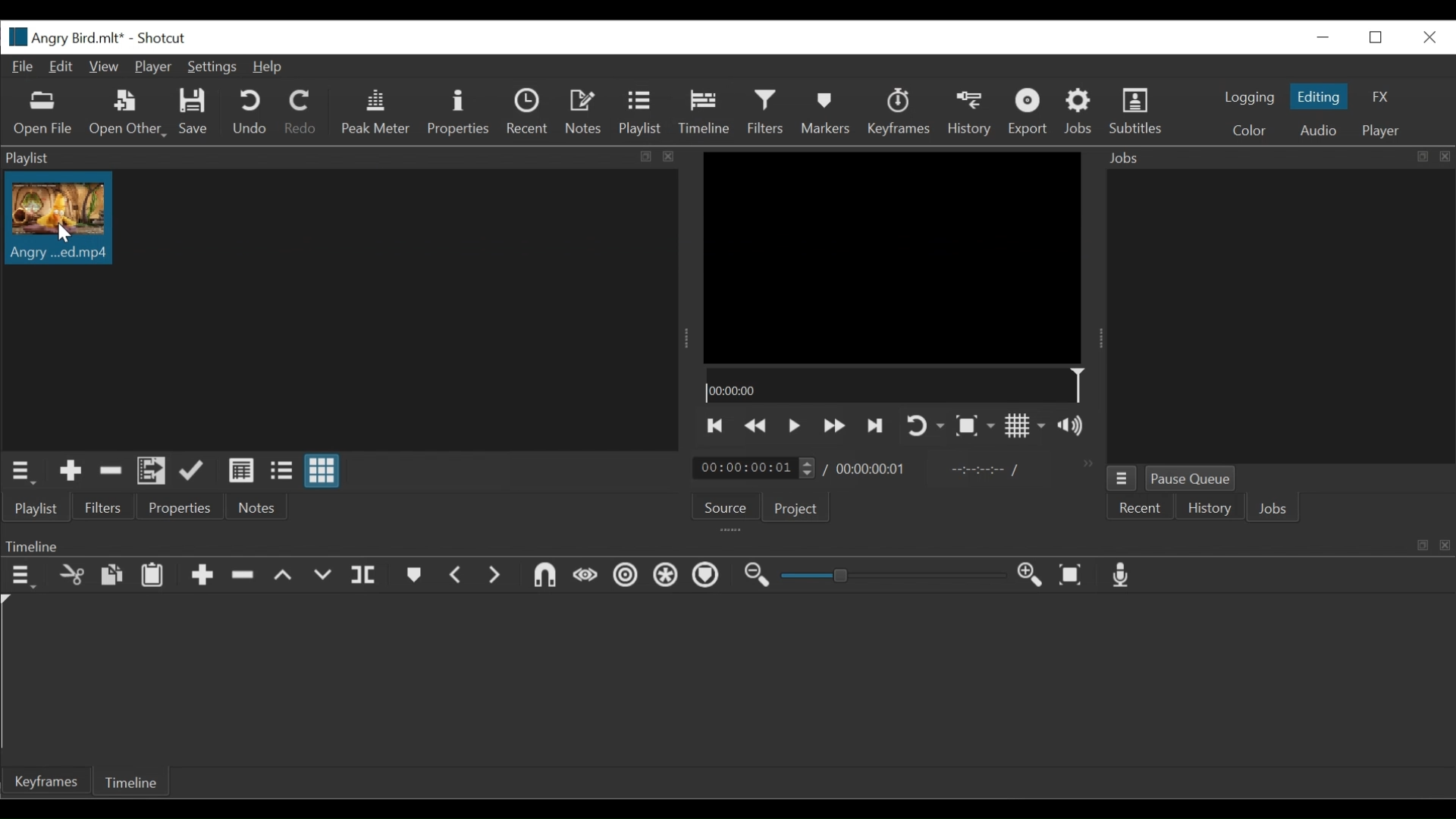 The width and height of the screenshot is (1456, 819). I want to click on Paste, so click(152, 573).